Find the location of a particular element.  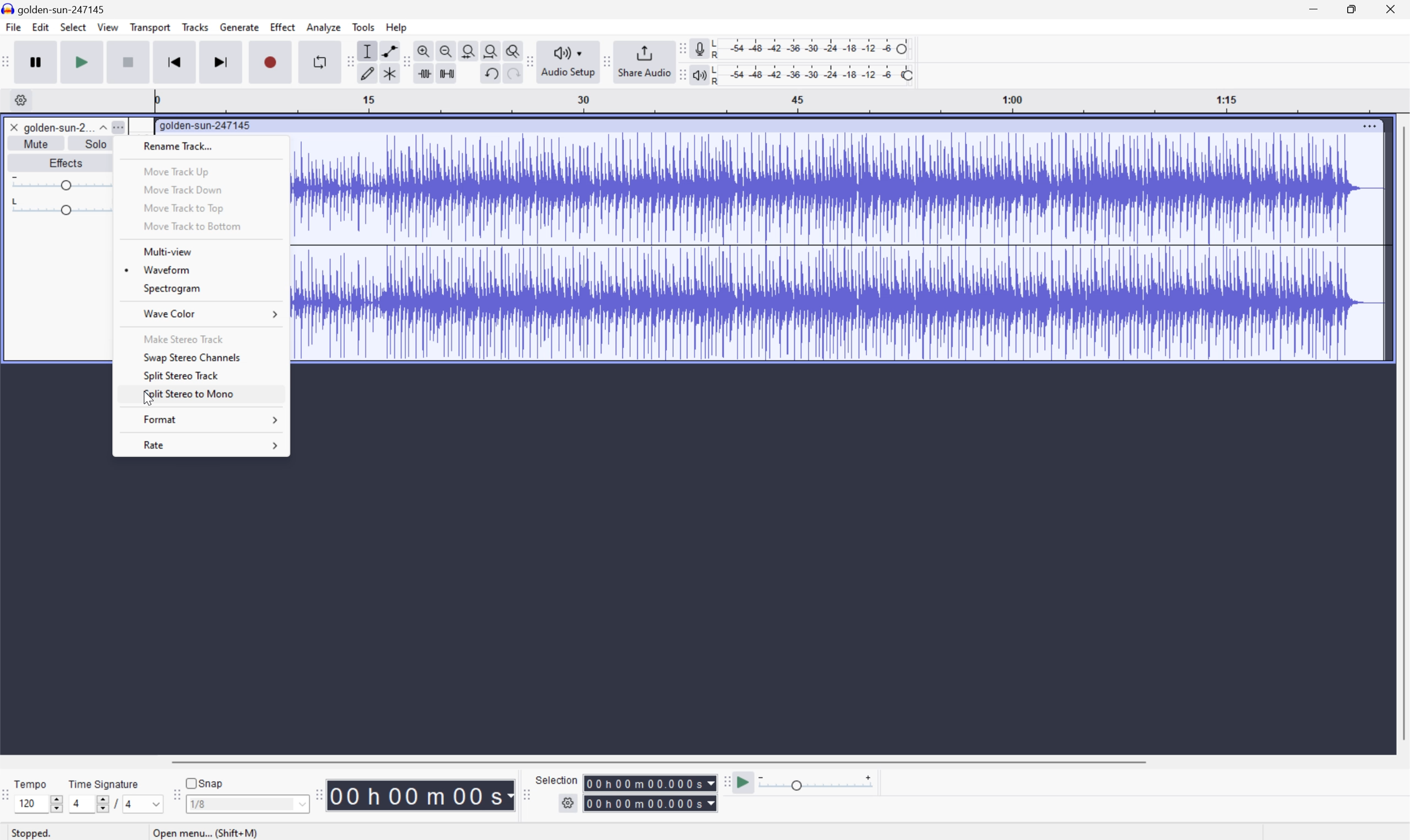

Recording level: 62% is located at coordinates (813, 47).